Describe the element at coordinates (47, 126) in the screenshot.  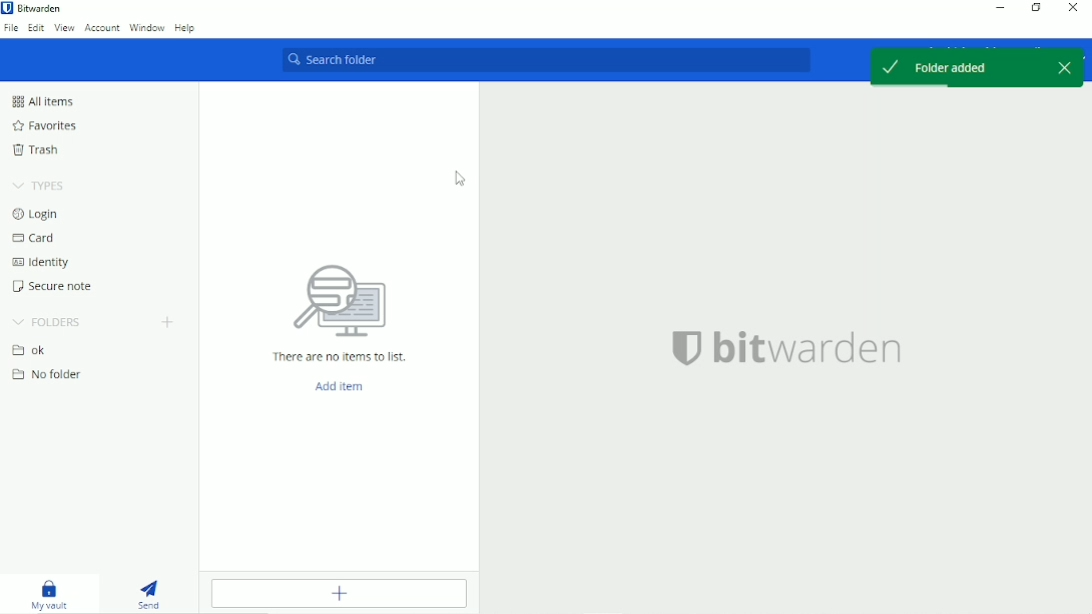
I see `Favorites` at that location.